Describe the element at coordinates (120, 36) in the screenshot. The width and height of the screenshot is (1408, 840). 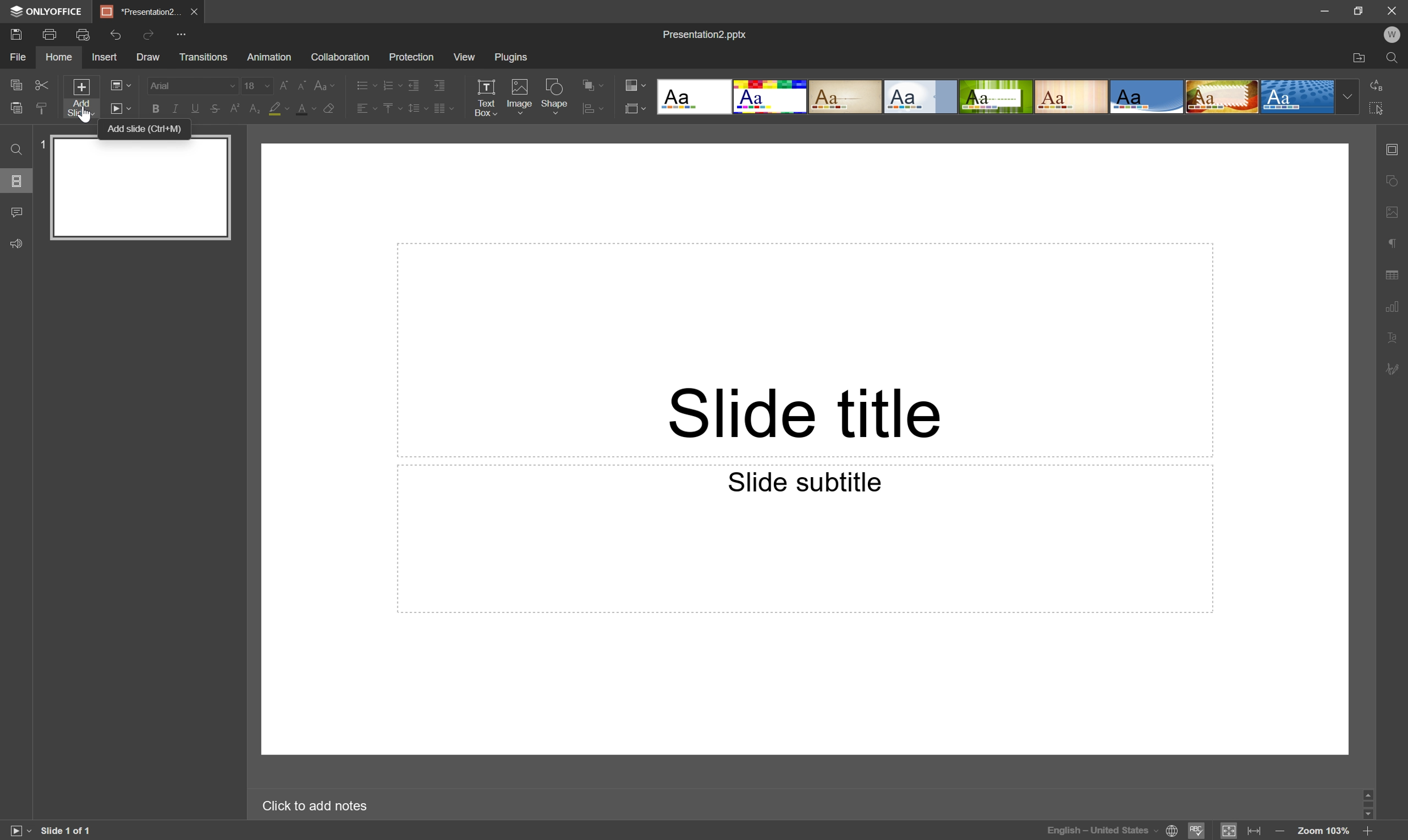
I see `Redo` at that location.